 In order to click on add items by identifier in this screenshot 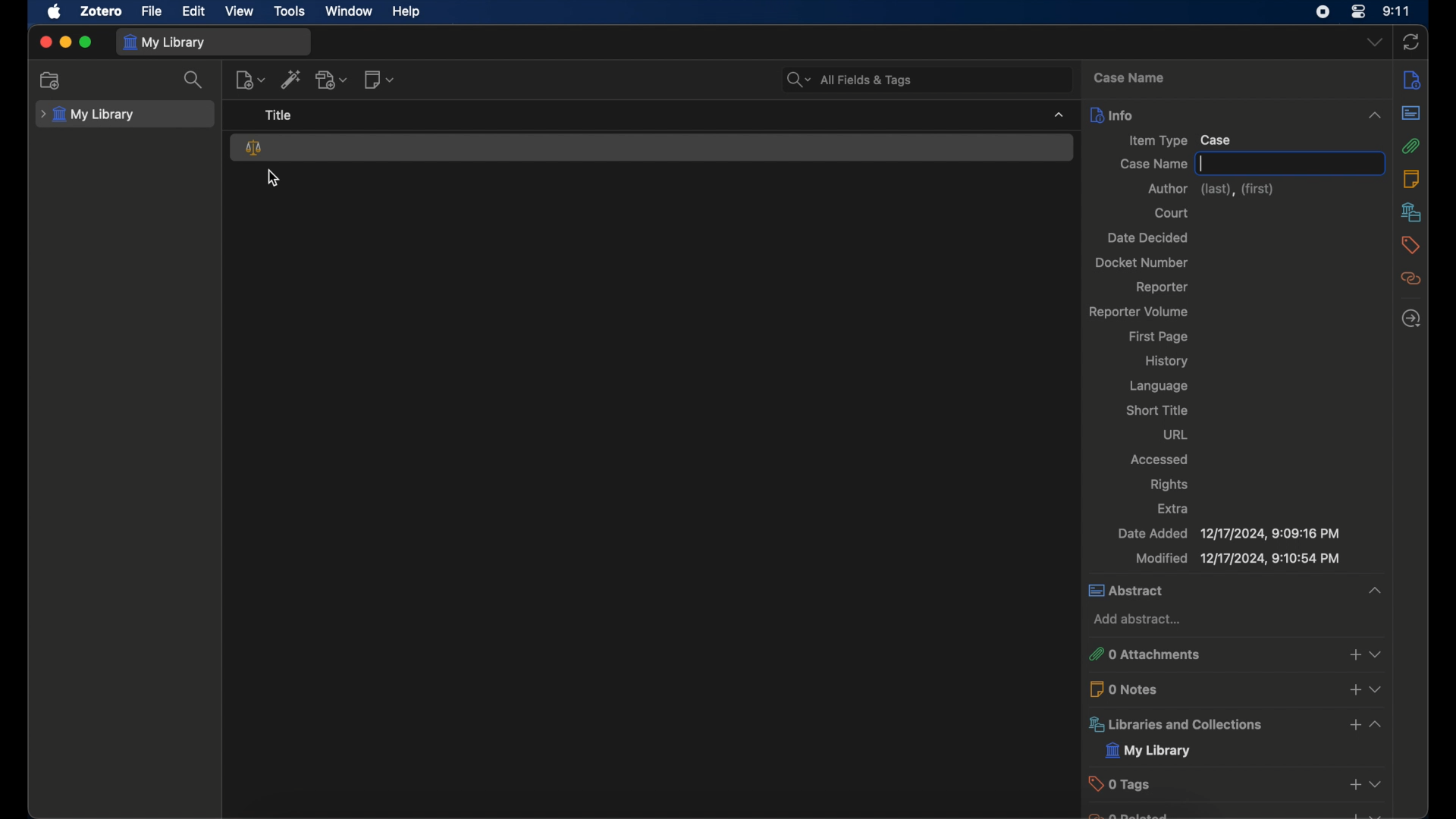, I will do `click(291, 79)`.